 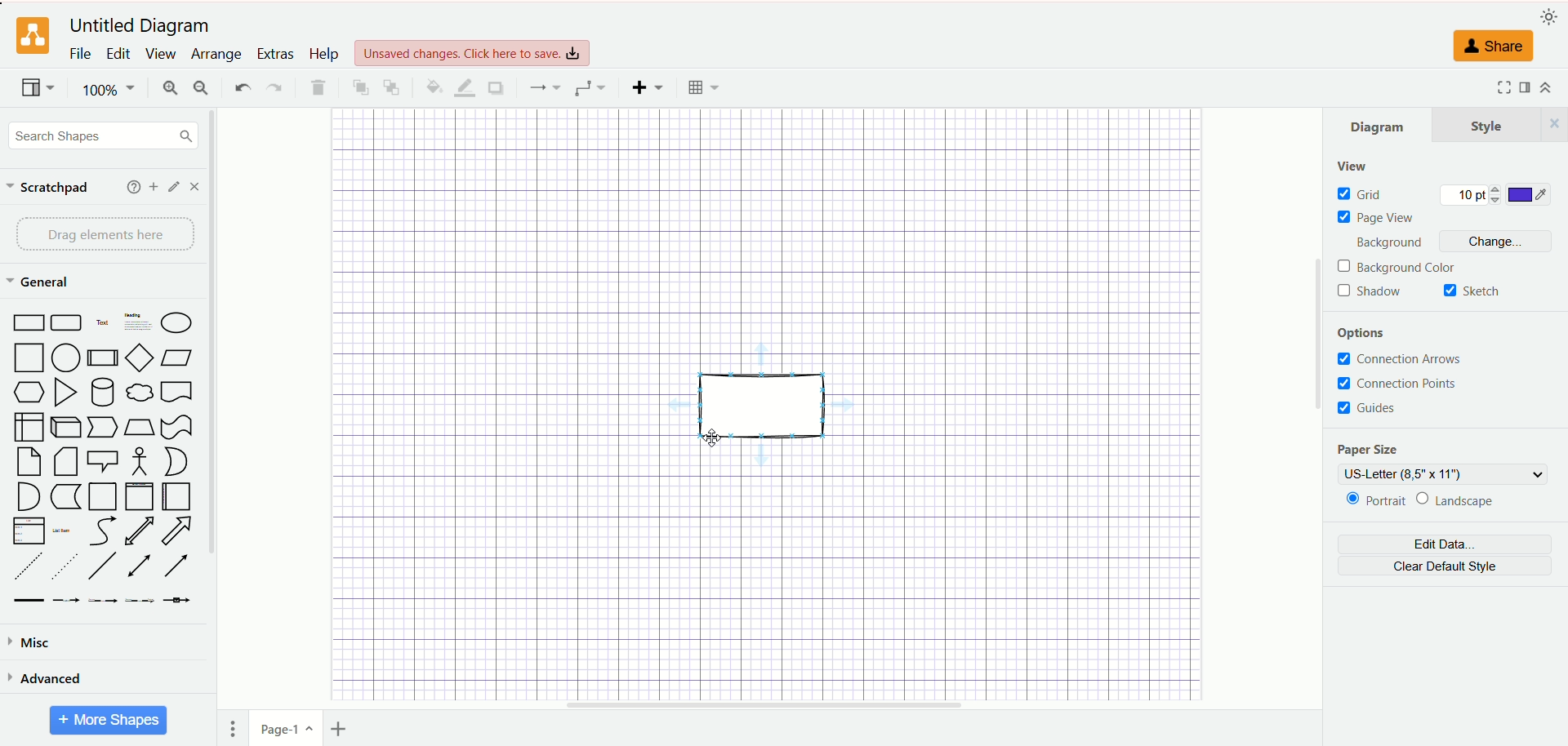 I want to click on vertical scroll bar, so click(x=1314, y=409).